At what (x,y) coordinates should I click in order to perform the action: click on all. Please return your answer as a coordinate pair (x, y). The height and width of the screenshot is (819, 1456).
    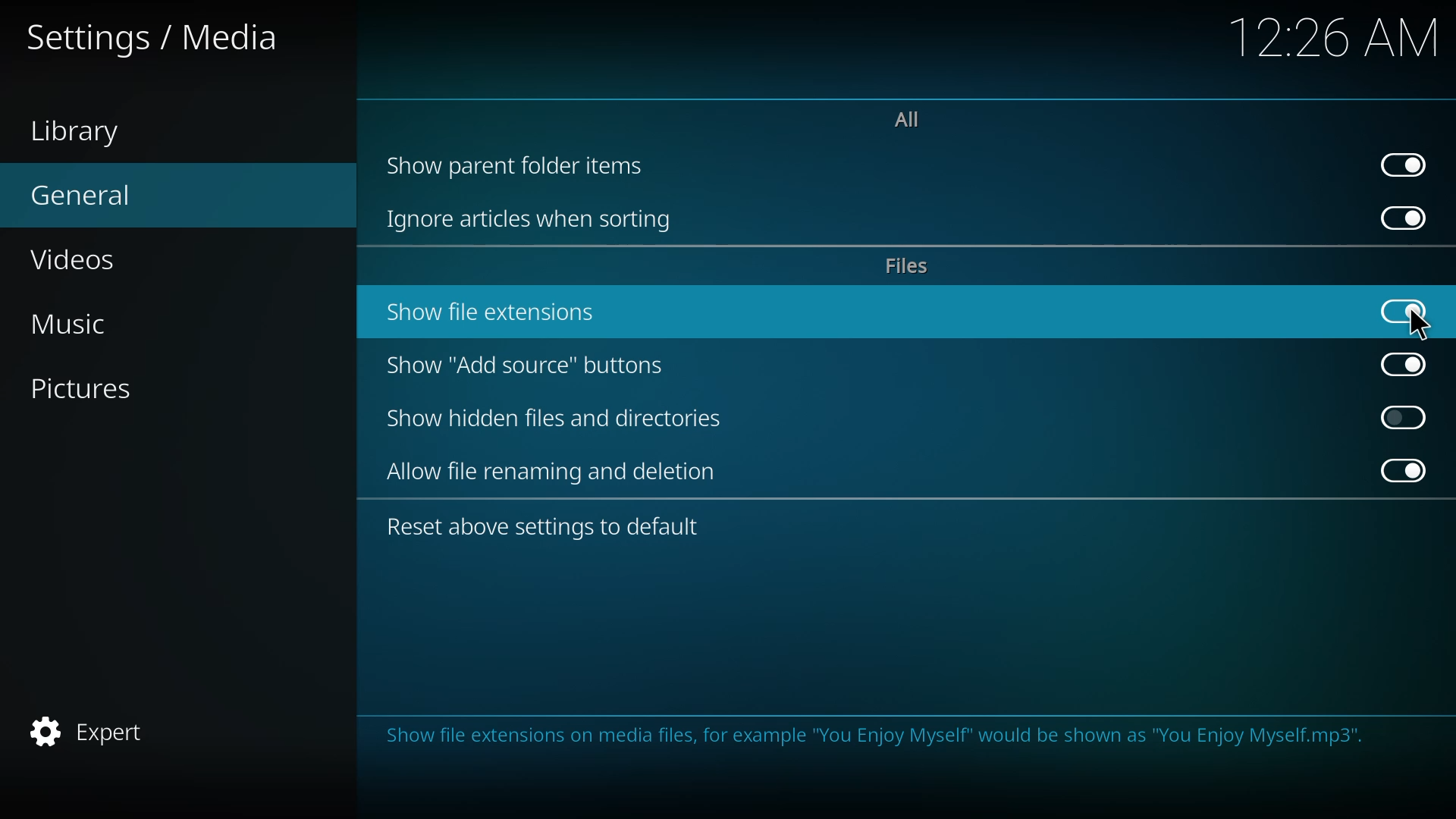
    Looking at the image, I should click on (903, 118).